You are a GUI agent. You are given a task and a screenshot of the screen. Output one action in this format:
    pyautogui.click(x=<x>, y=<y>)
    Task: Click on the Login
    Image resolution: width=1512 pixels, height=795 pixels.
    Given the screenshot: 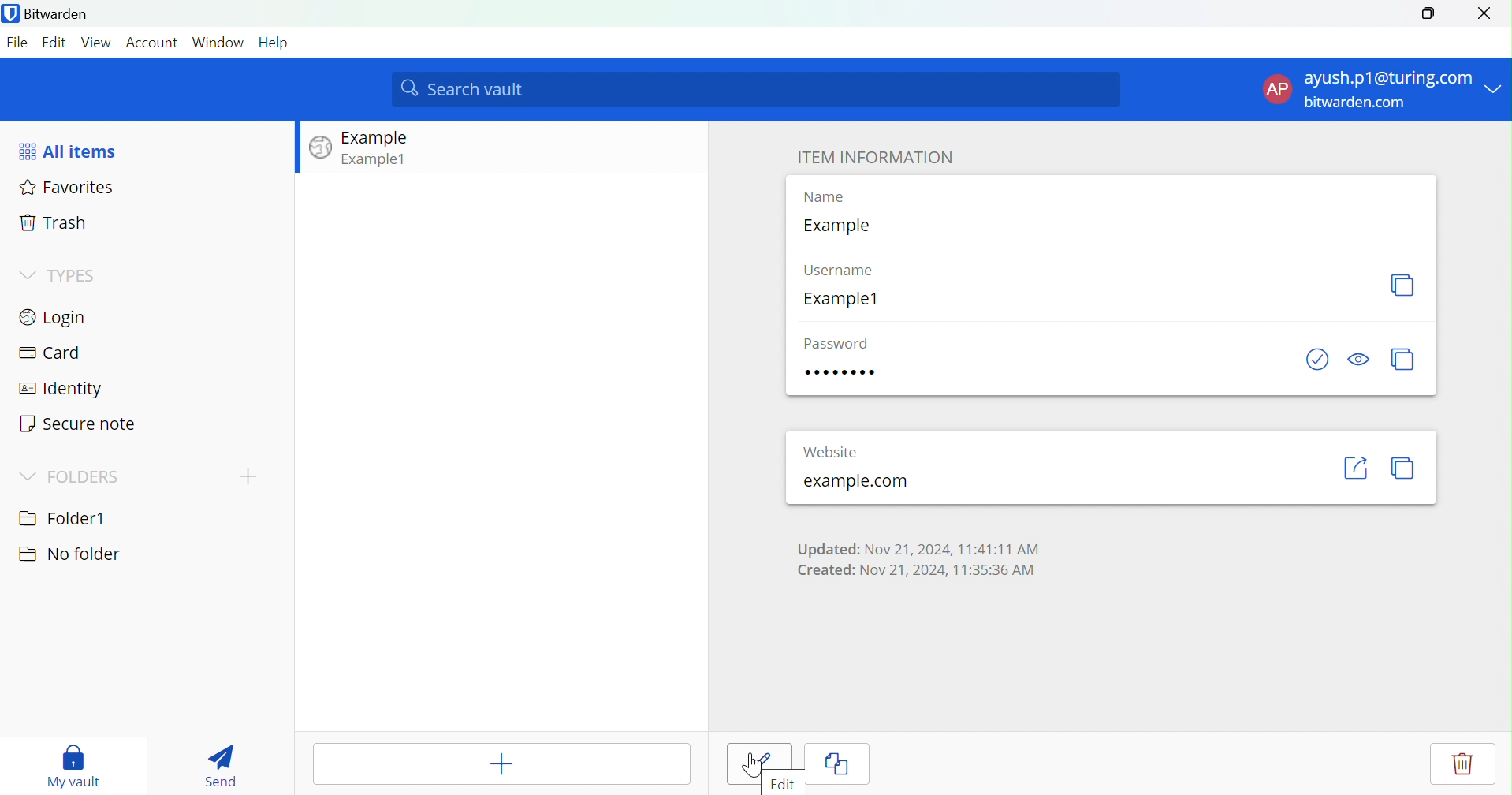 What is the action you would take?
    pyautogui.click(x=56, y=316)
    